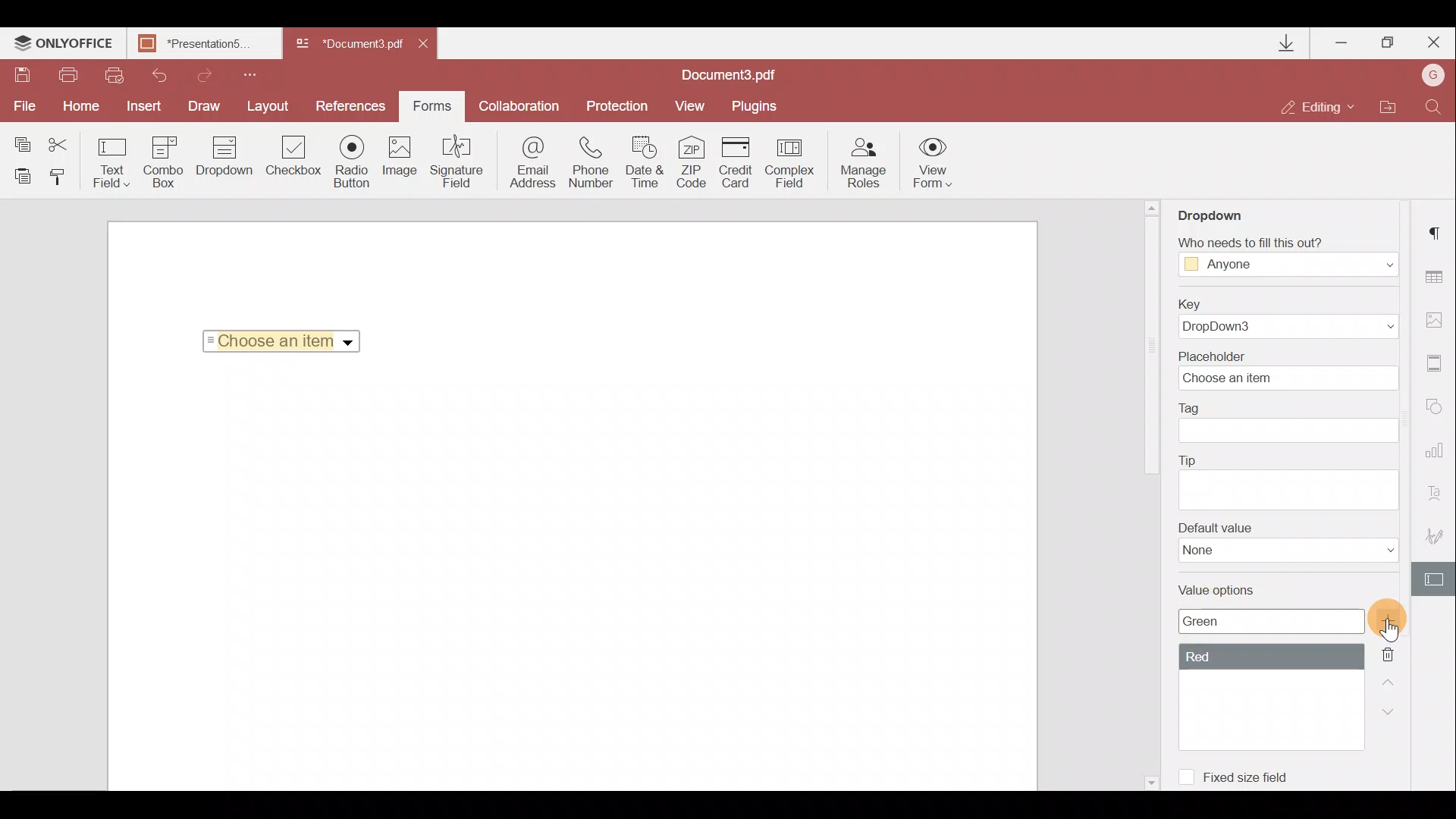  I want to click on Document name, so click(736, 74).